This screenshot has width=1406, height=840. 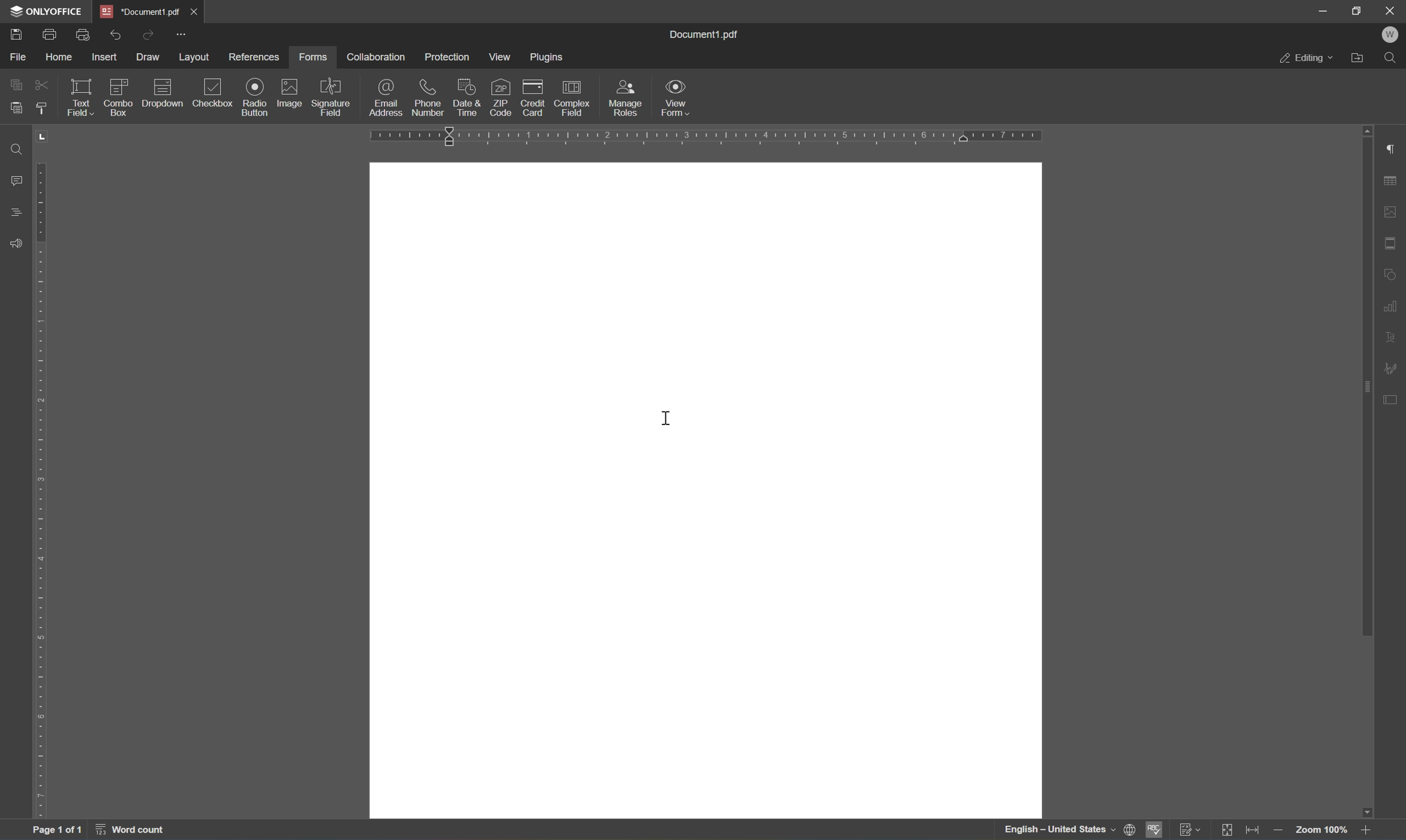 I want to click on *document1.pdf, so click(x=138, y=10).